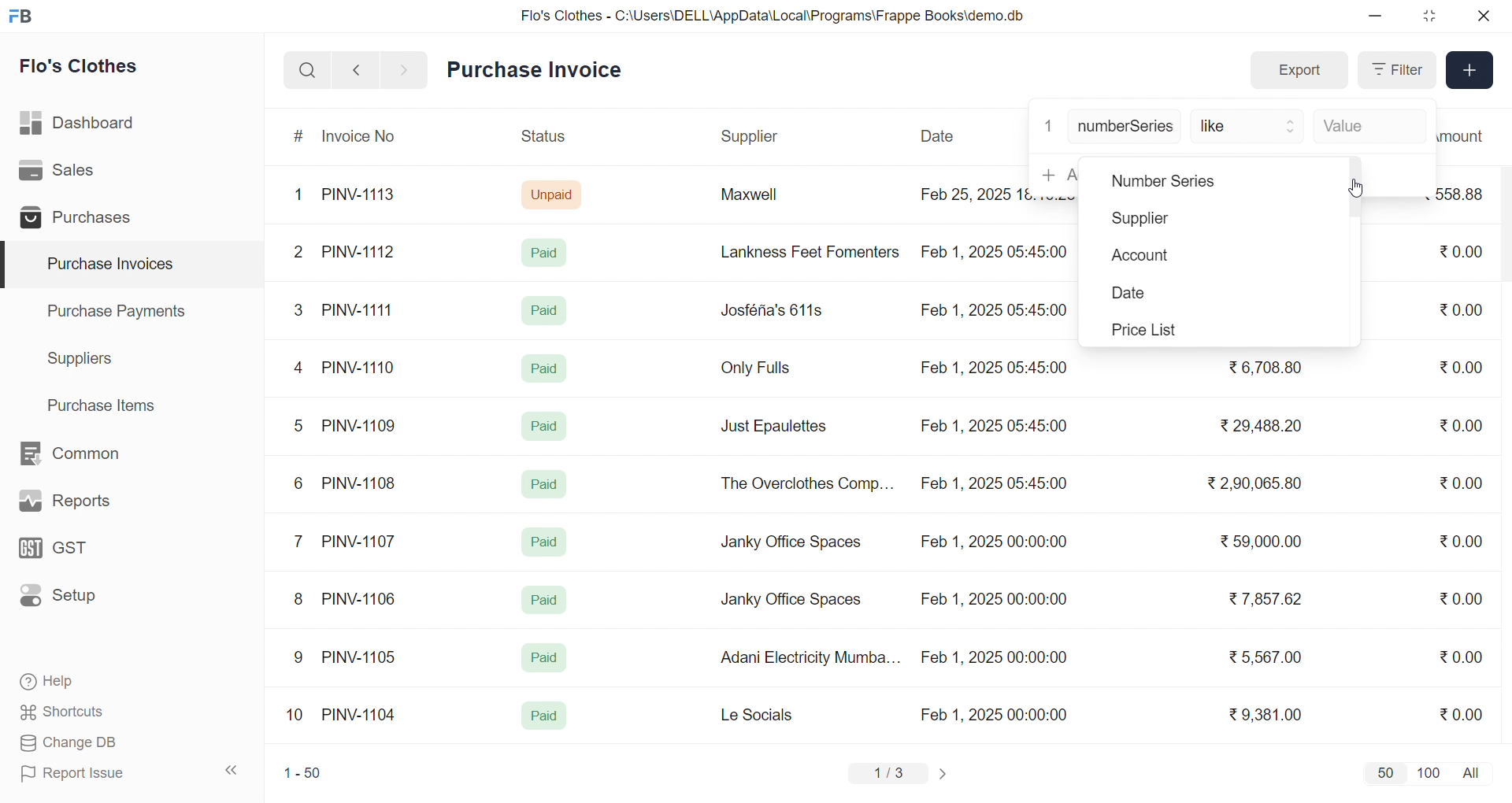 The height and width of the screenshot is (803, 1512). Describe the element at coordinates (87, 454) in the screenshot. I see `Common` at that location.